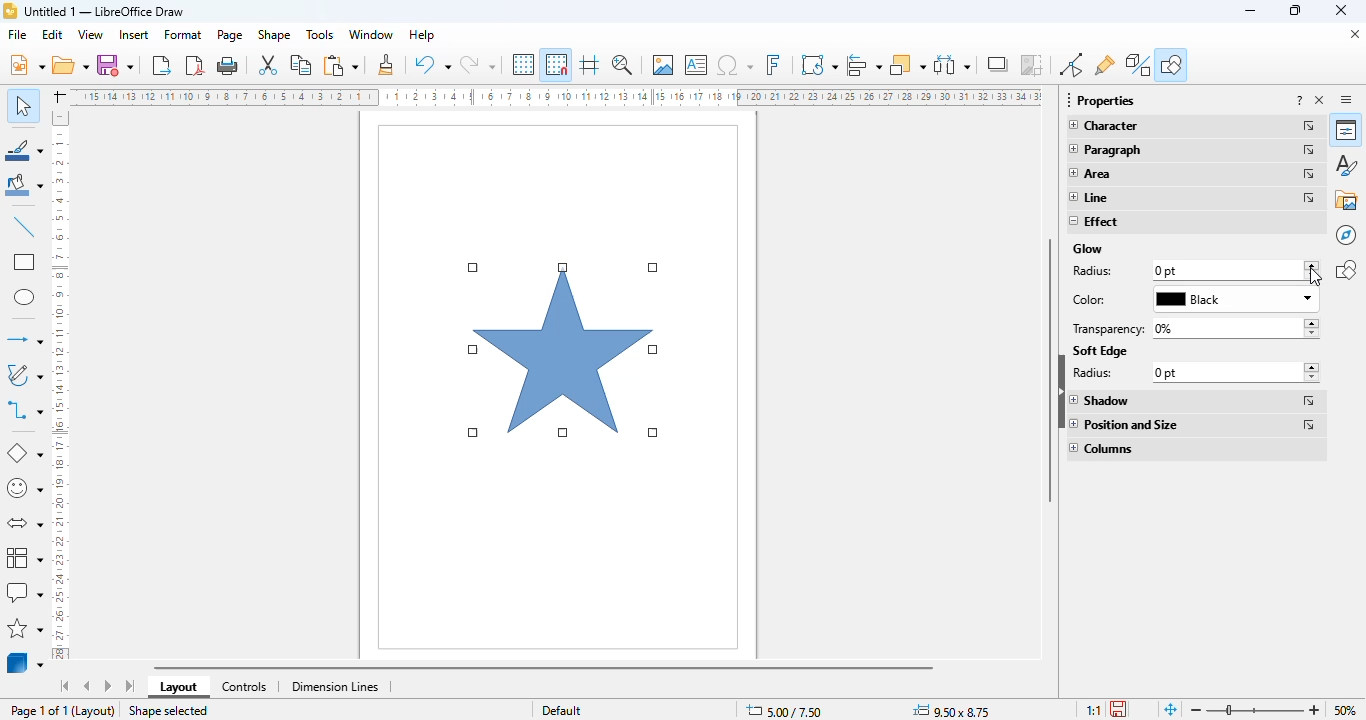  Describe the element at coordinates (557, 64) in the screenshot. I see `snap to grid` at that location.